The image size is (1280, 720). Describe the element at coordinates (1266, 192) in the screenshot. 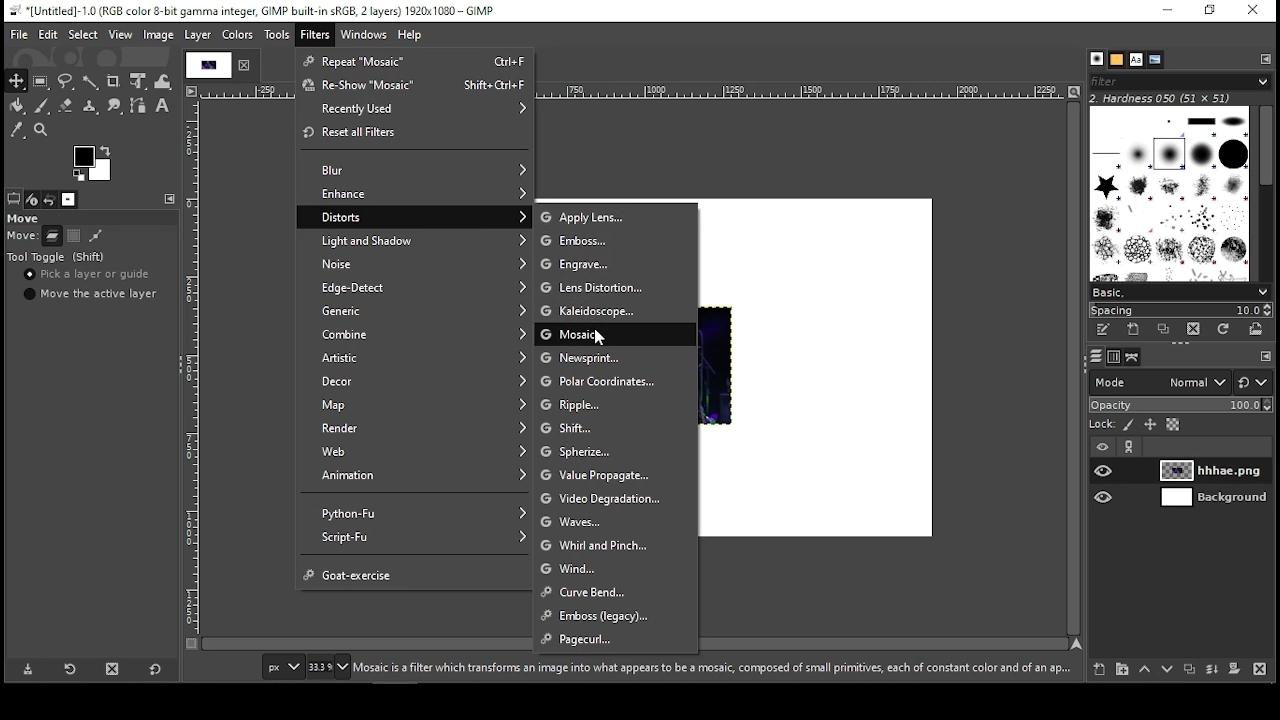

I see `scroll bar` at that location.